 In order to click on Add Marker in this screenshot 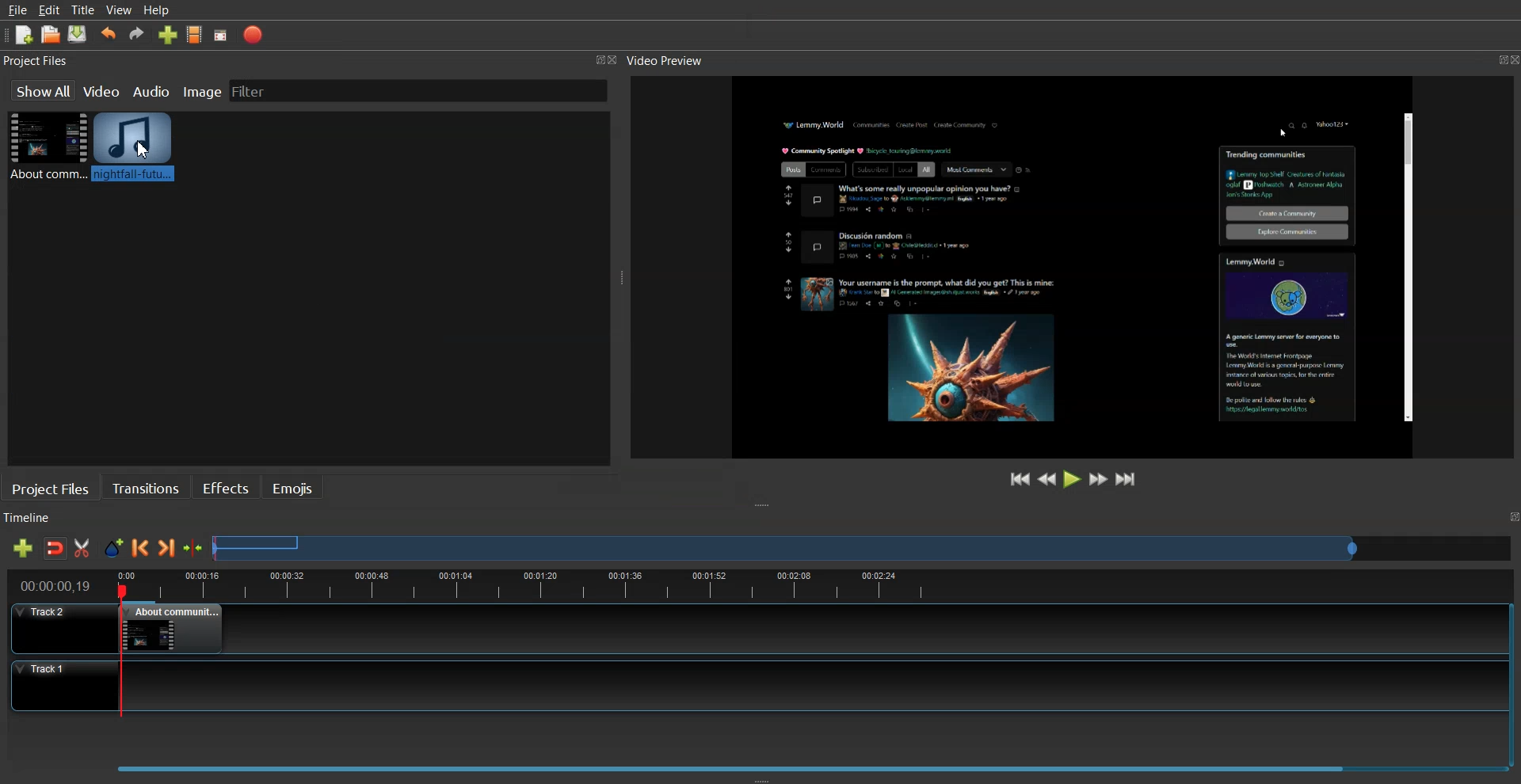, I will do `click(113, 548)`.